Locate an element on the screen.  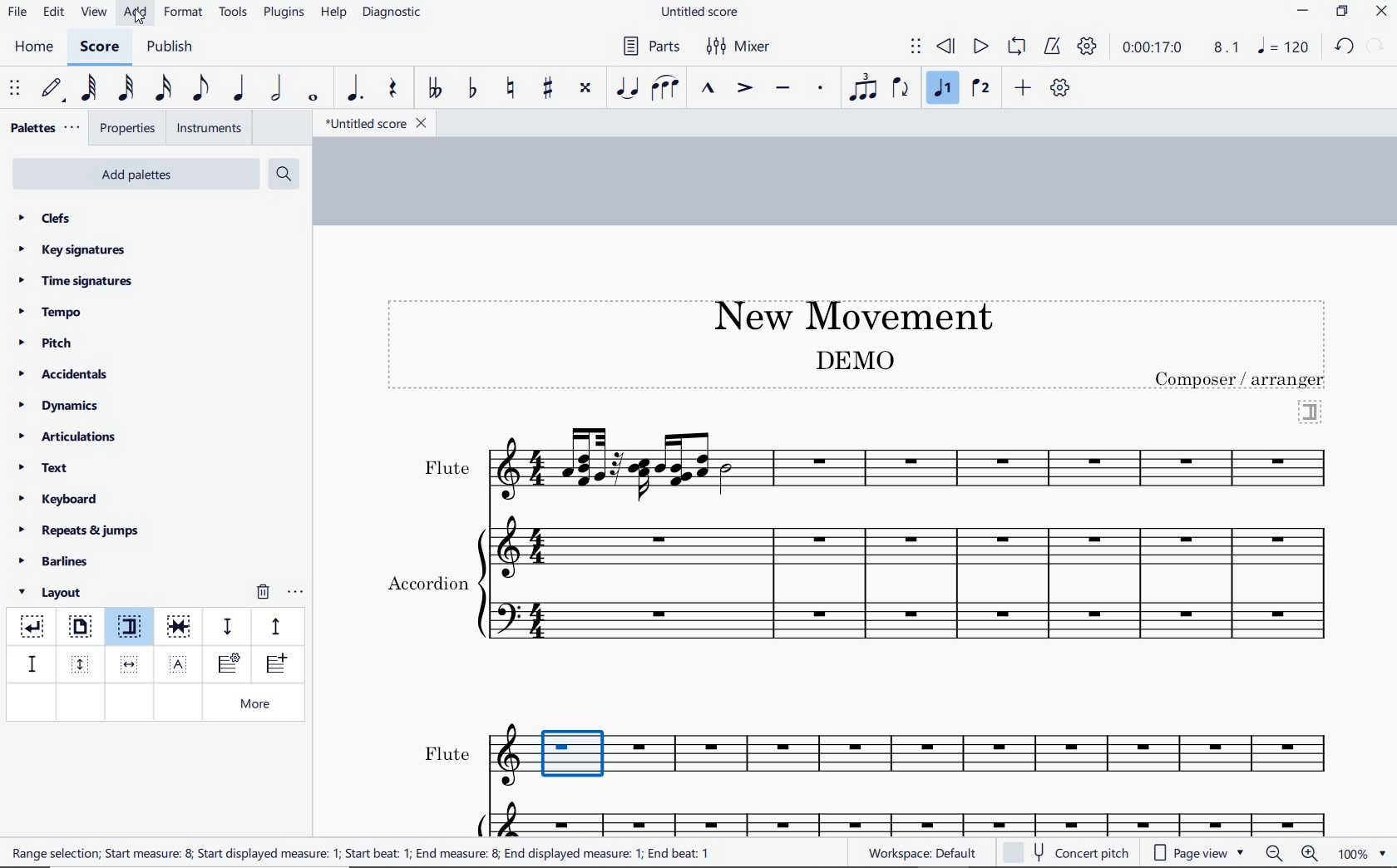
customize toolbar is located at coordinates (1061, 89).